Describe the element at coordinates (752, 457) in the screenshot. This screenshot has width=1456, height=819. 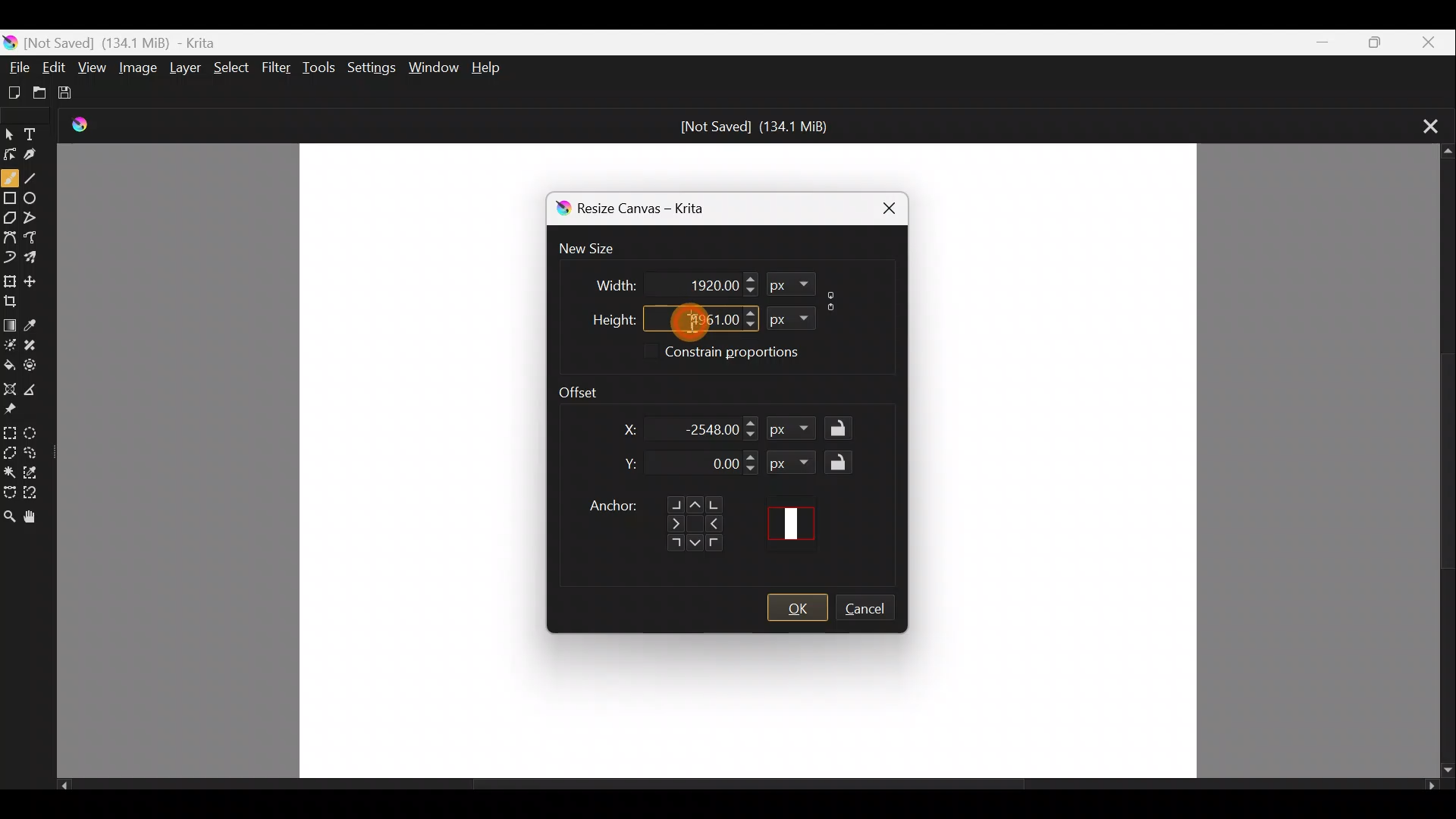
I see `Increase Y dimension` at that location.